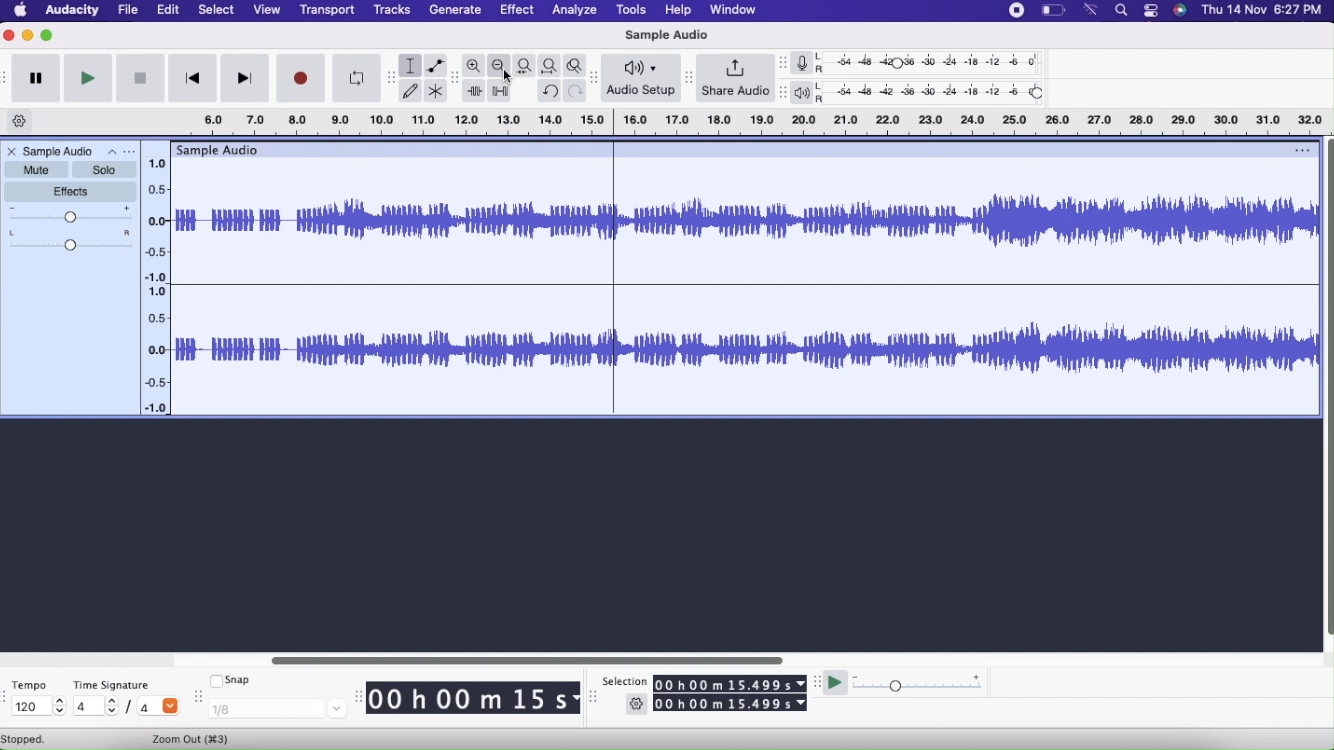 Image resolution: width=1334 pixels, height=750 pixels. What do you see at coordinates (437, 90) in the screenshot?
I see `Multi-tool` at bounding box center [437, 90].